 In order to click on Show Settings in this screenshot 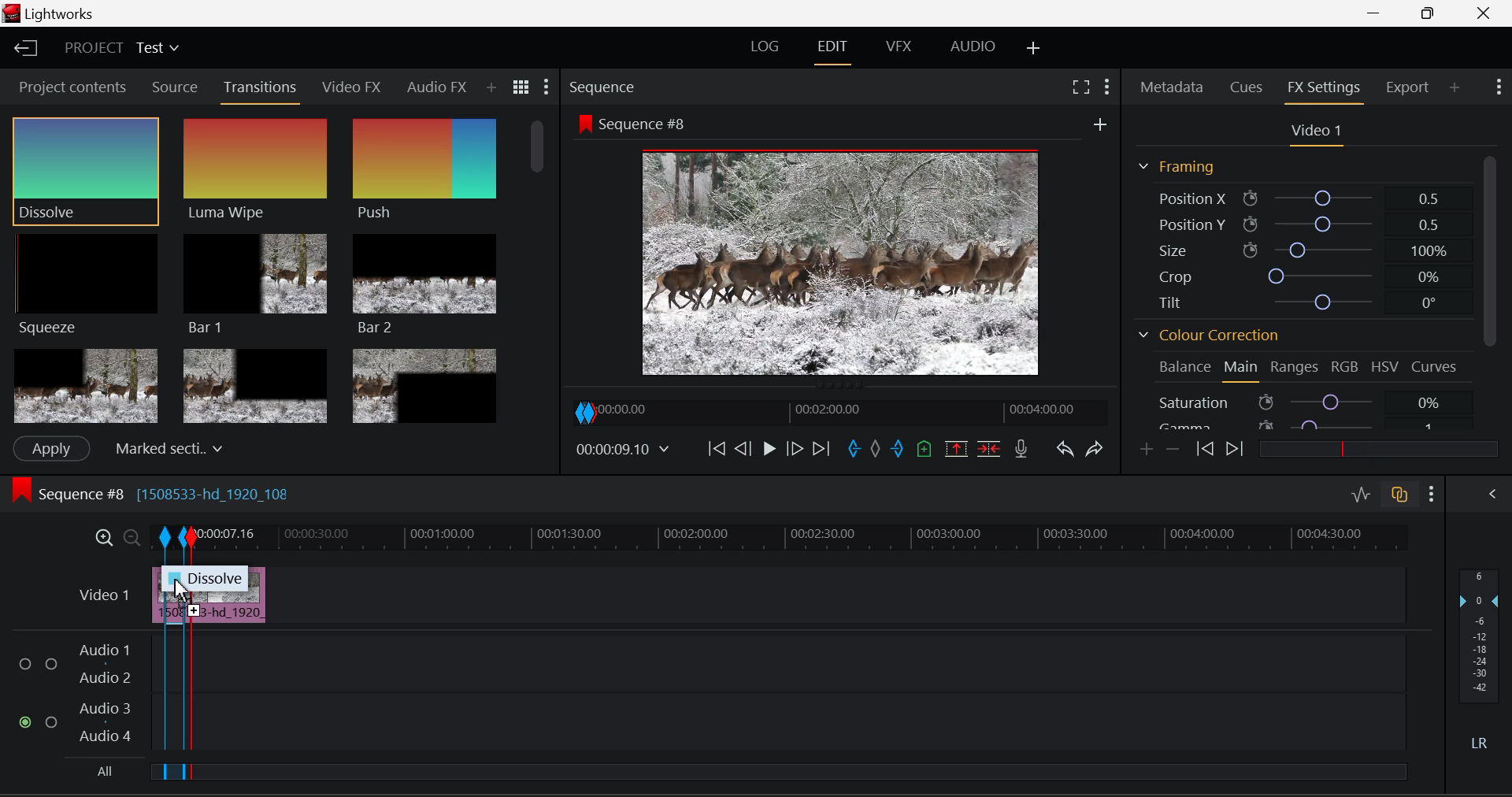, I will do `click(1499, 87)`.